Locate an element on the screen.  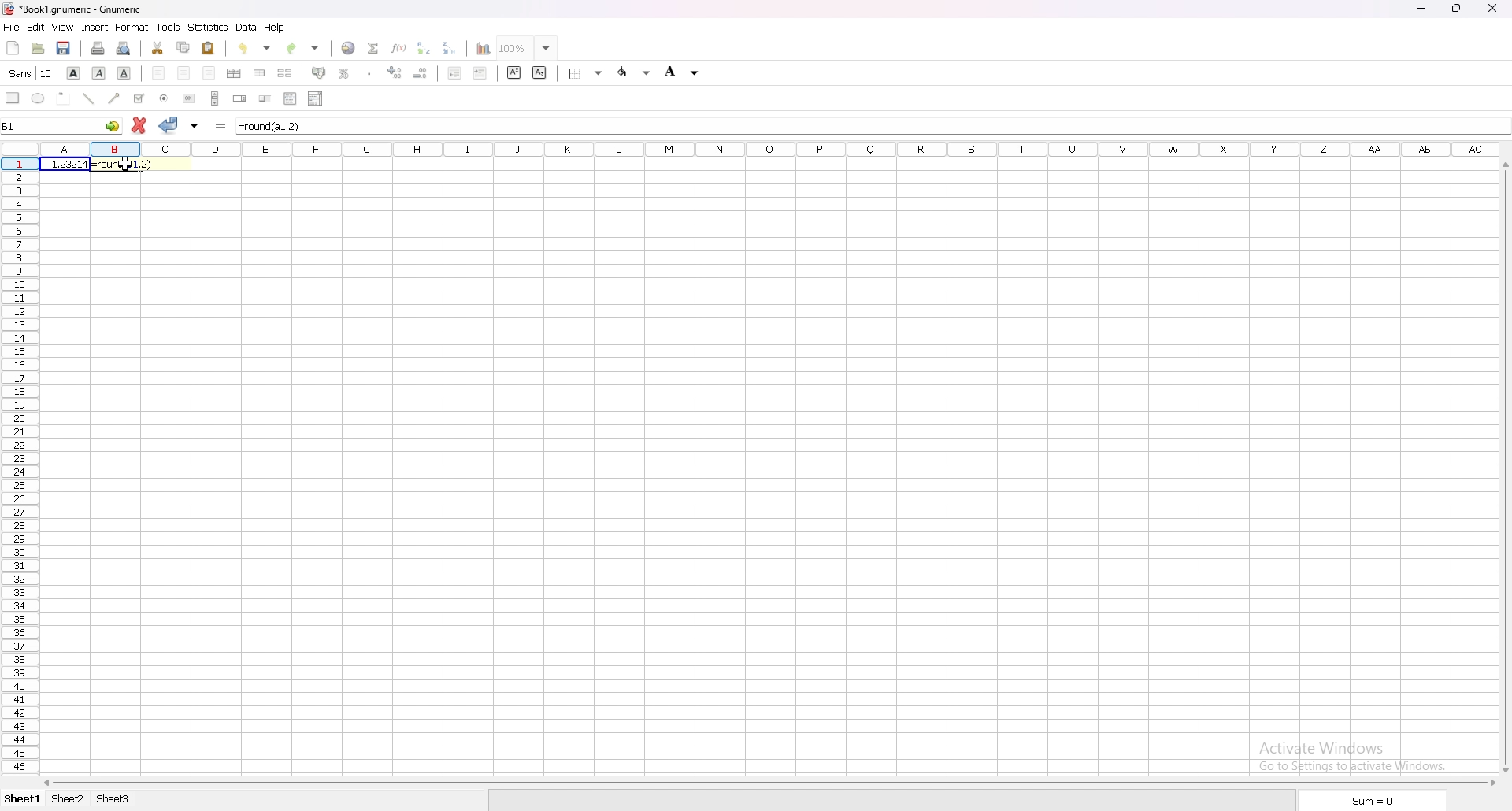
arrowed line is located at coordinates (114, 98).